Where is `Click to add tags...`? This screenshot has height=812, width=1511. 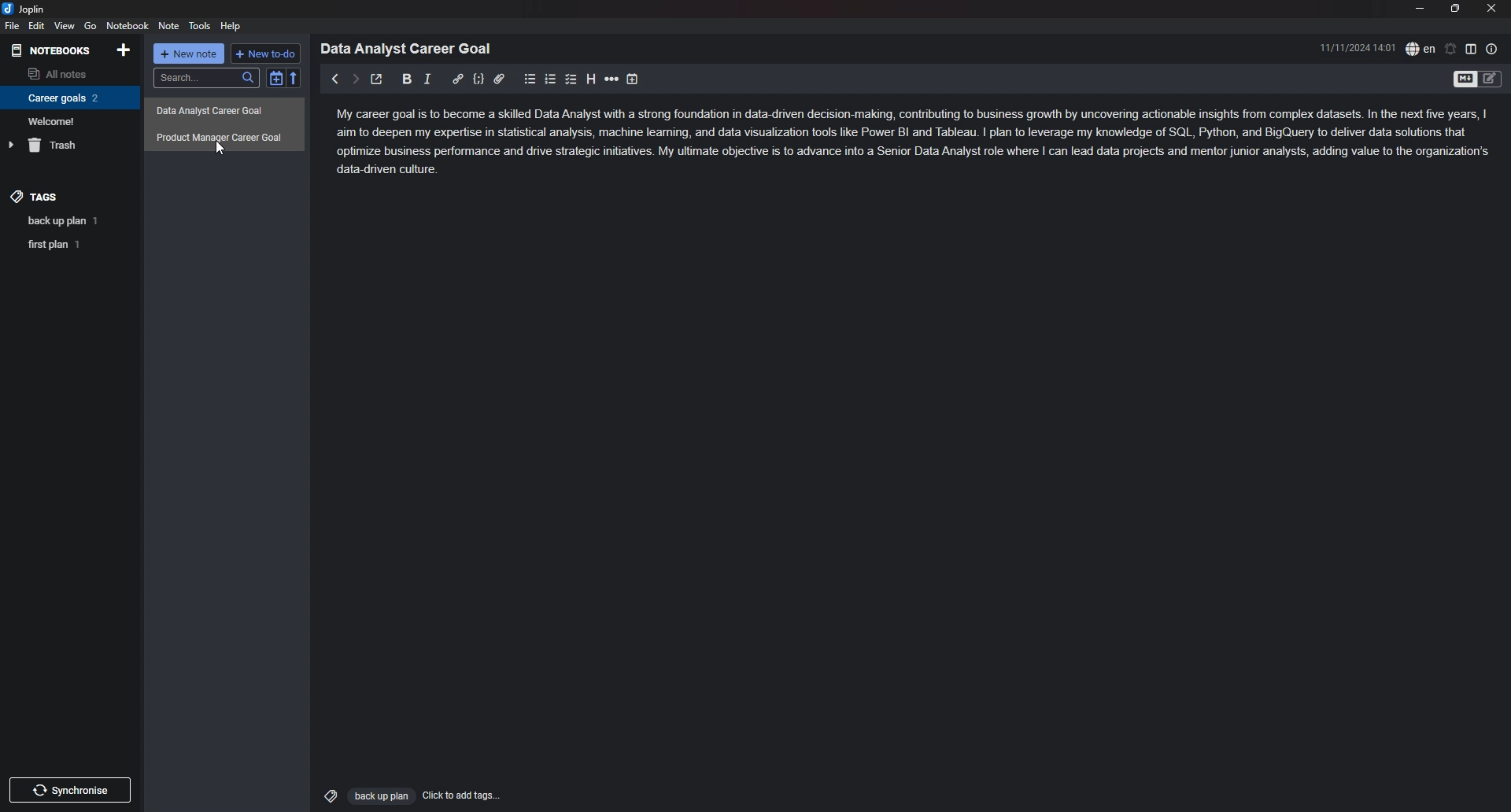 Click to add tags... is located at coordinates (463, 795).